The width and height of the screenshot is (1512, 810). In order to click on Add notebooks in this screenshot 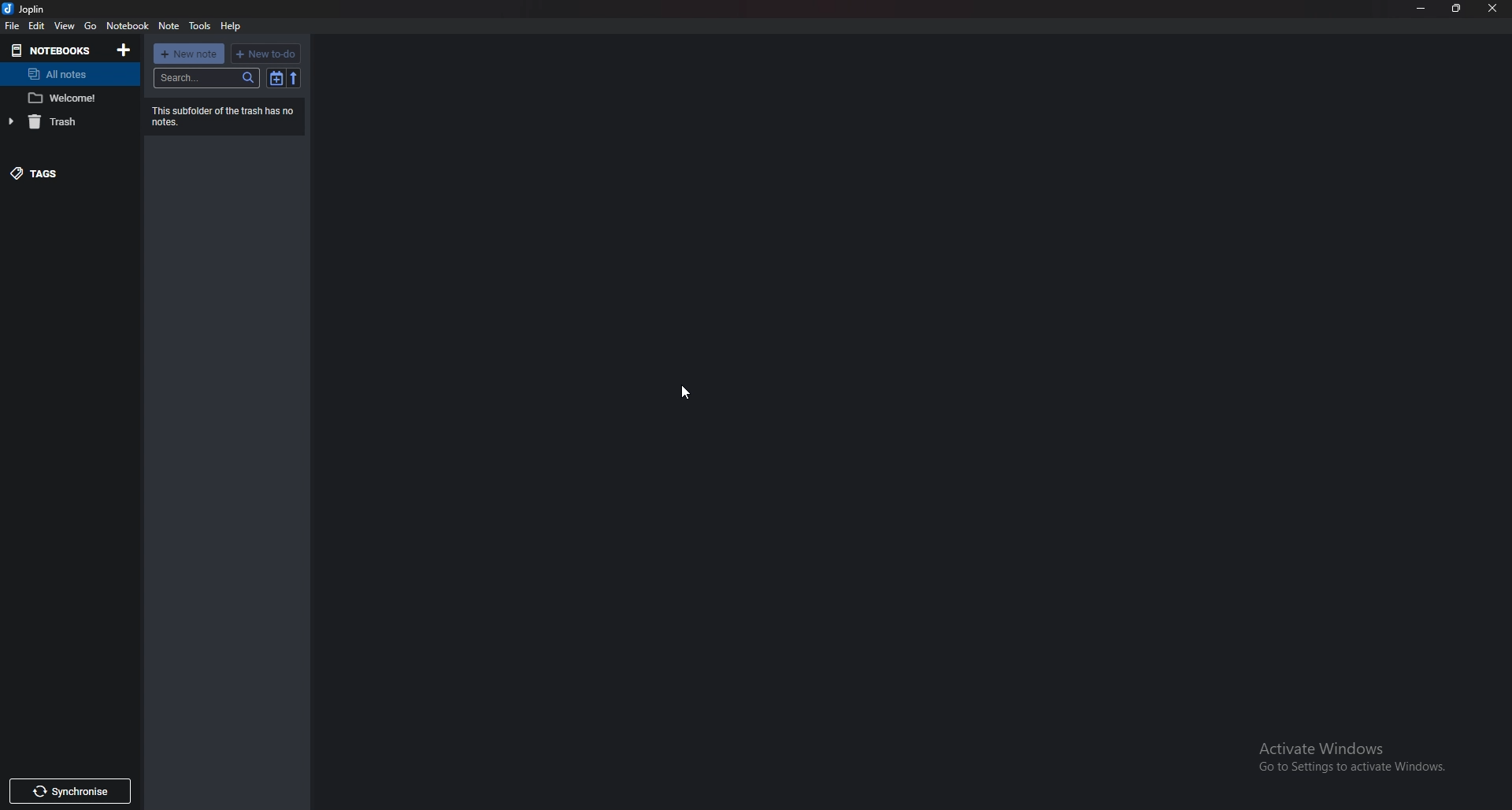, I will do `click(124, 50)`.